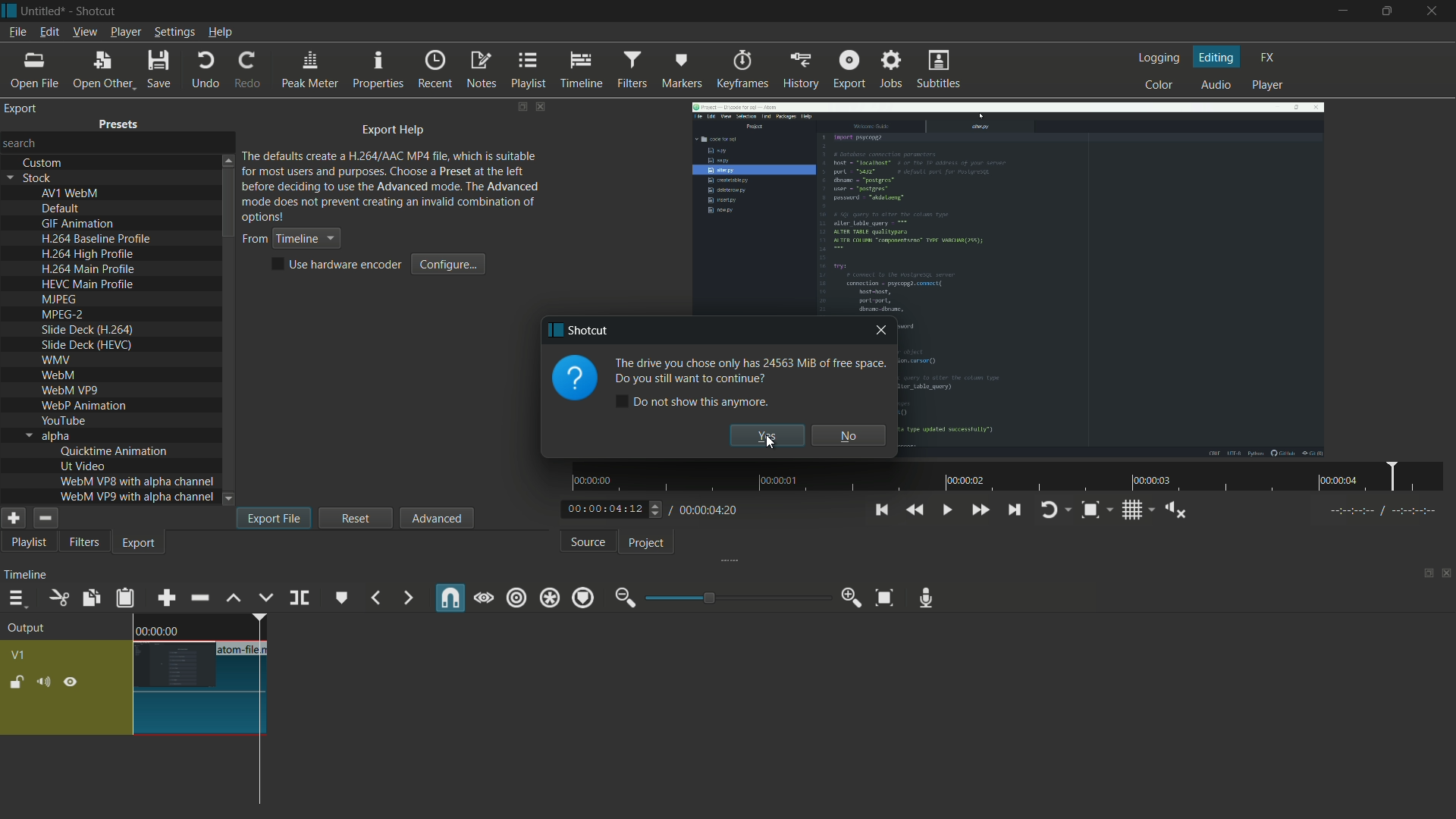 The height and width of the screenshot is (819, 1456). Describe the element at coordinates (576, 331) in the screenshot. I see `app name` at that location.